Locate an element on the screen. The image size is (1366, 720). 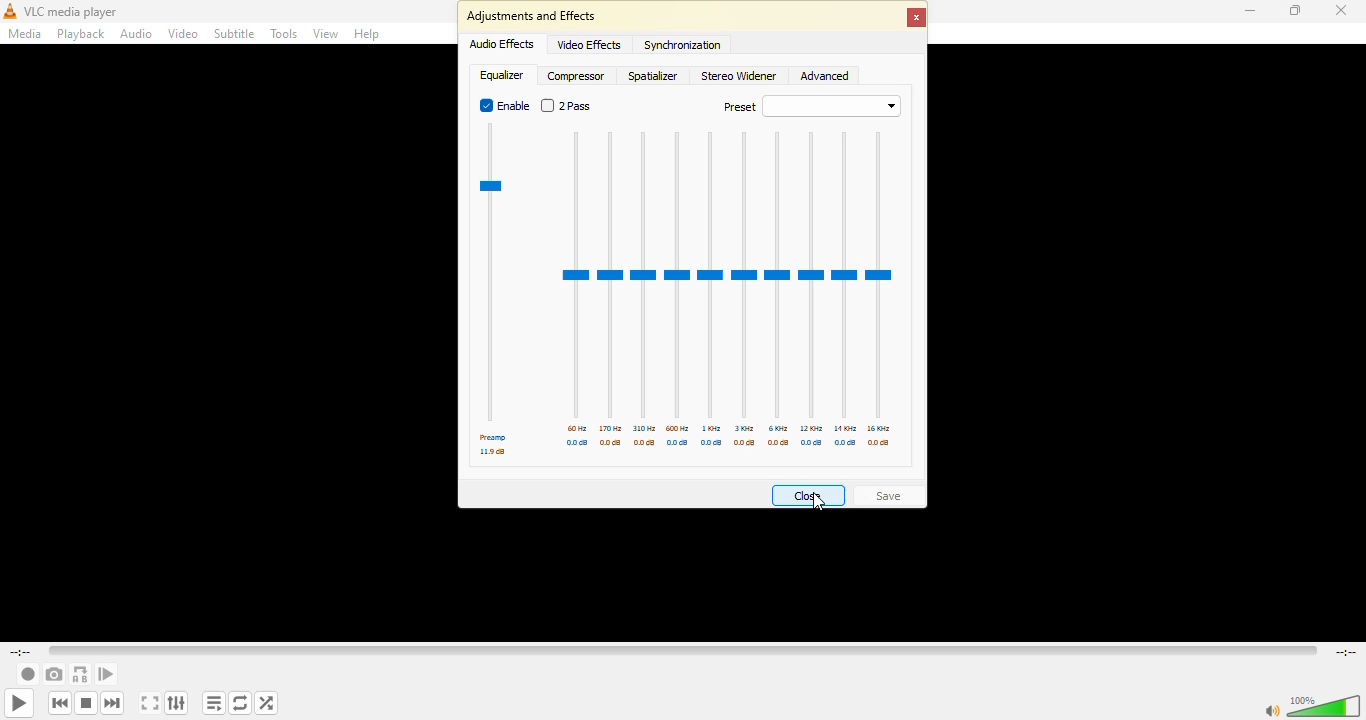
remaining time is located at coordinates (1346, 653).